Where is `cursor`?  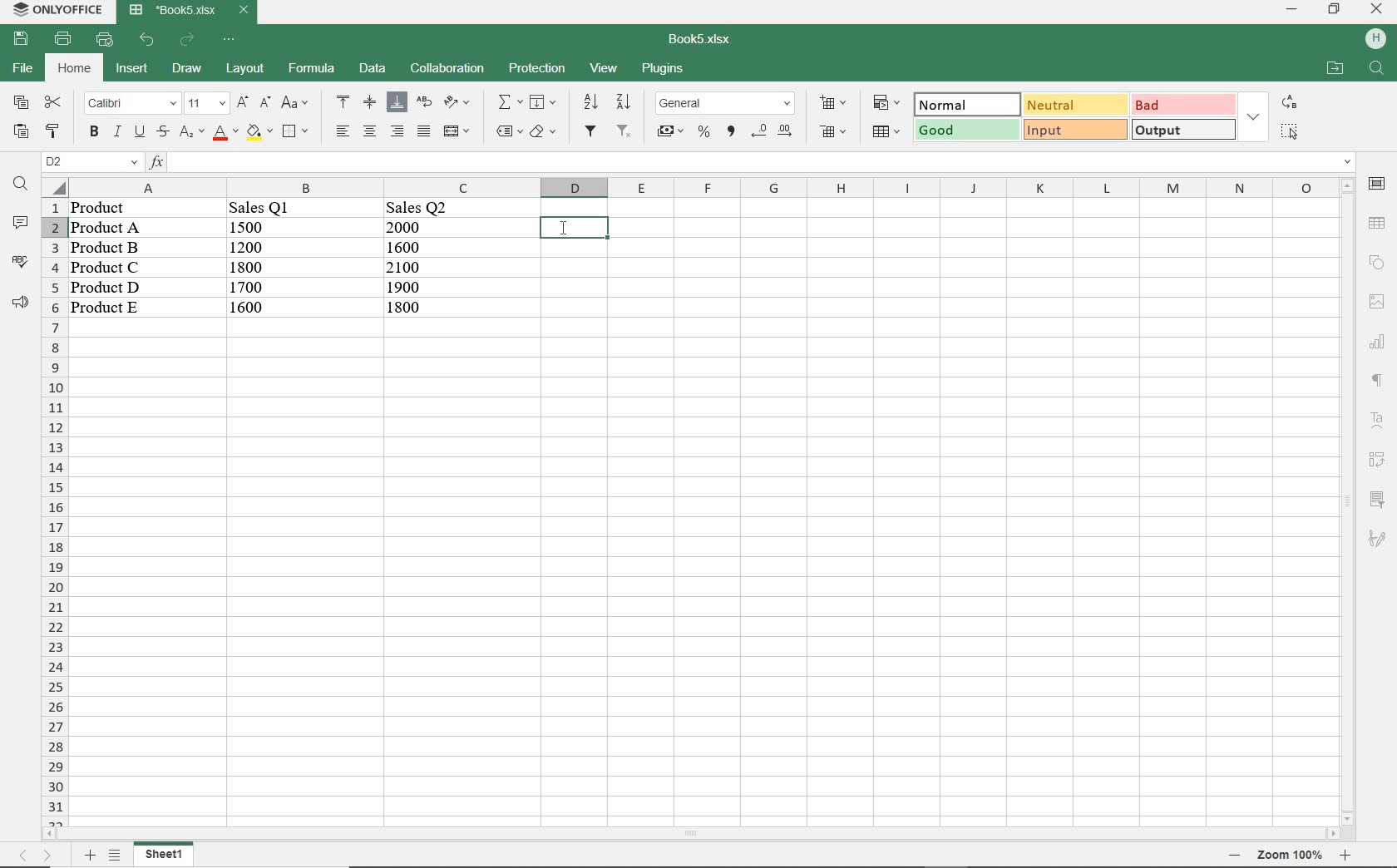
cursor is located at coordinates (563, 230).